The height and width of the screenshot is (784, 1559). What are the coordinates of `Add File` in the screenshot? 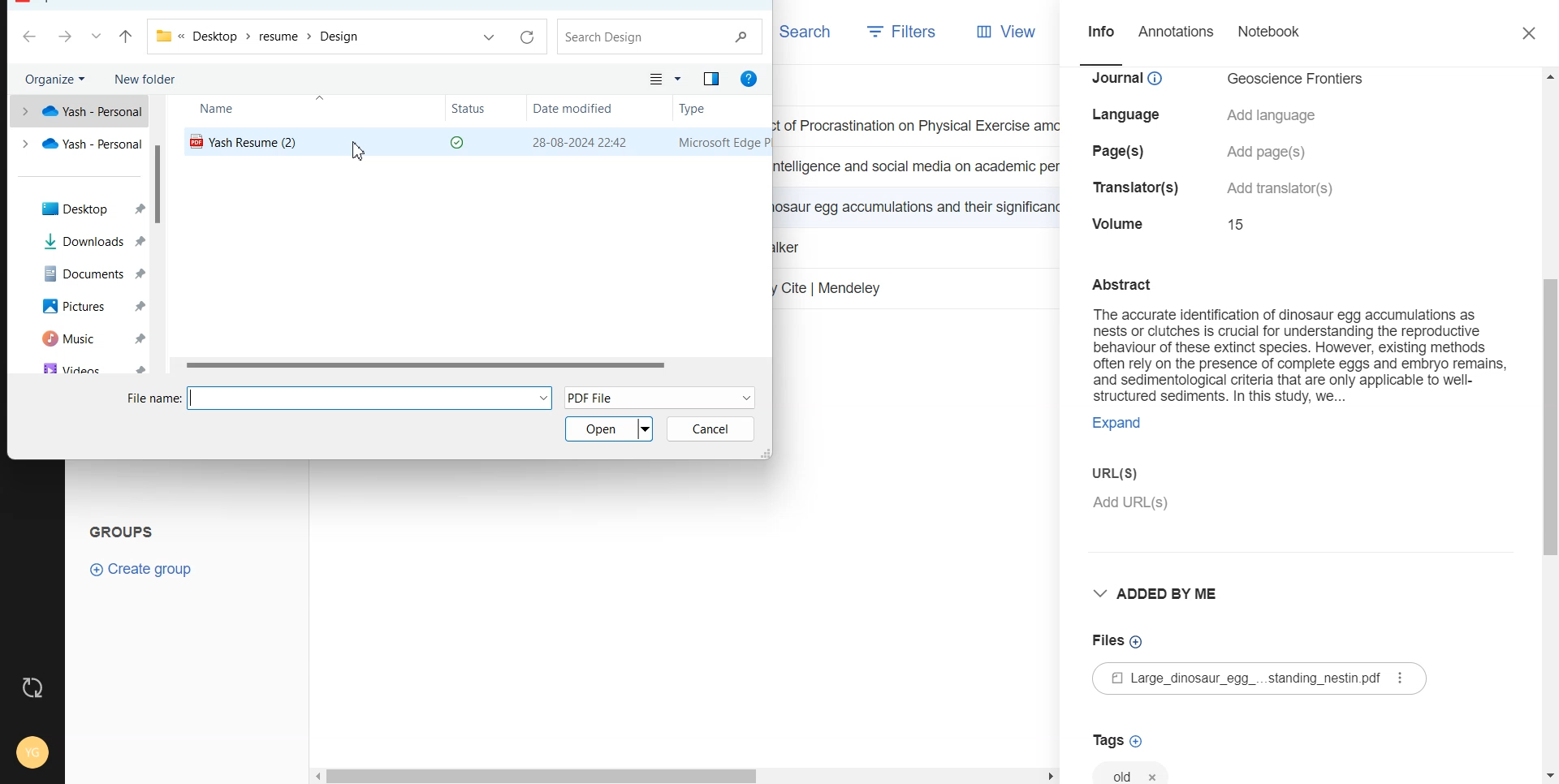 It's located at (1118, 641).